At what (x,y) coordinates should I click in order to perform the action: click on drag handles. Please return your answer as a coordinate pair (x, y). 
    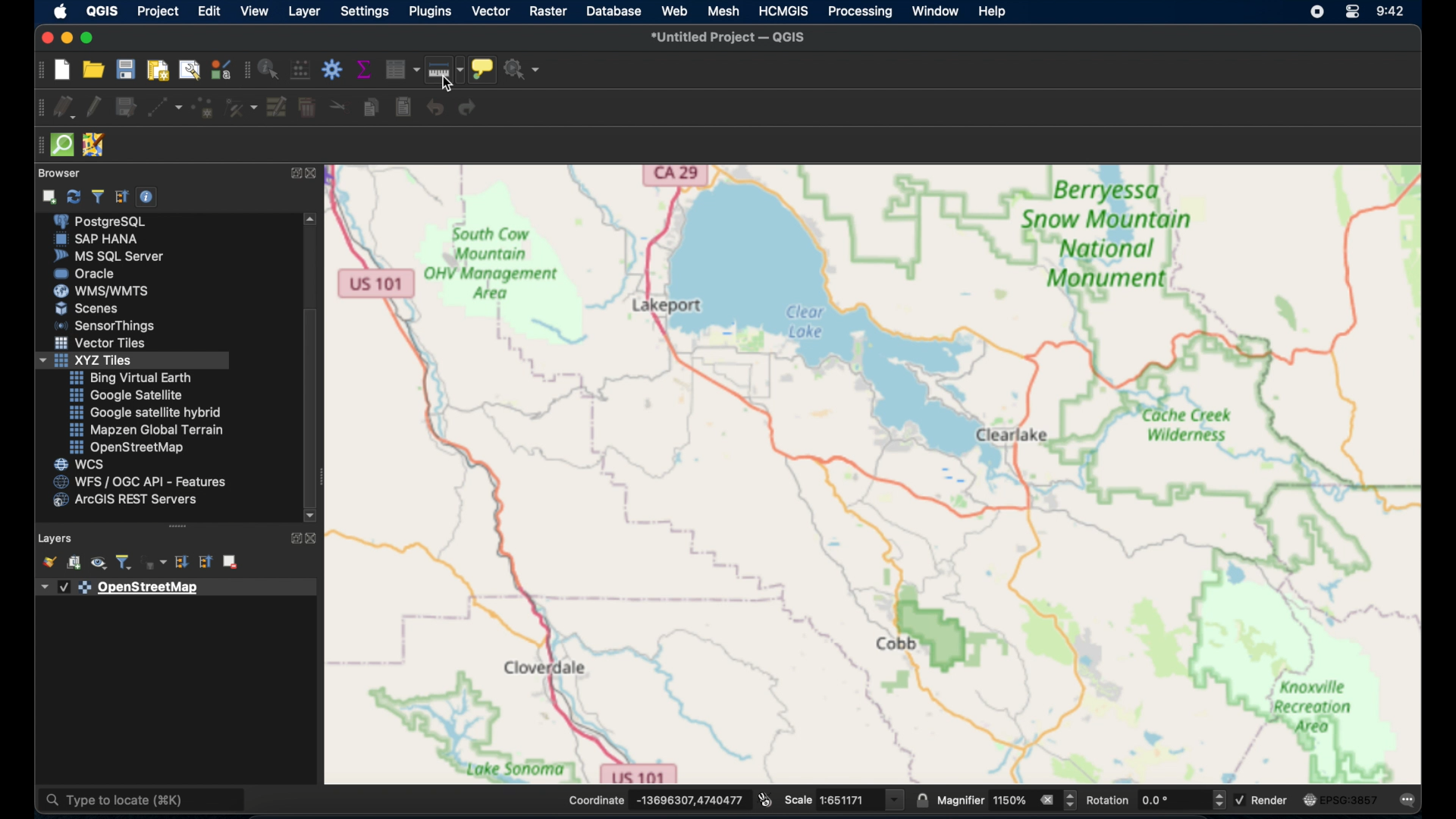
    Looking at the image, I should click on (37, 148).